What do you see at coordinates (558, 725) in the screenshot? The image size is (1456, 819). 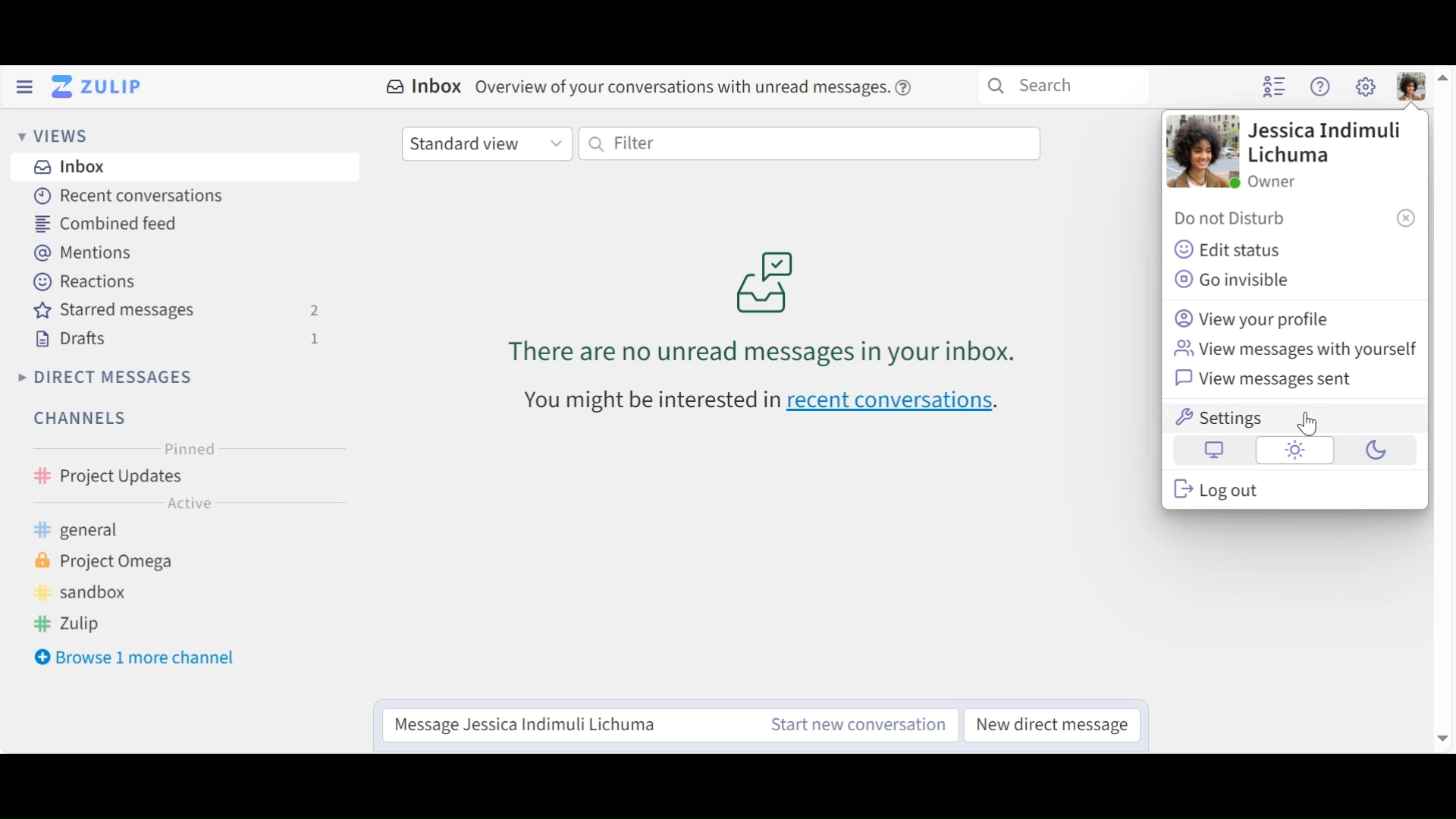 I see `Compose message` at bounding box center [558, 725].